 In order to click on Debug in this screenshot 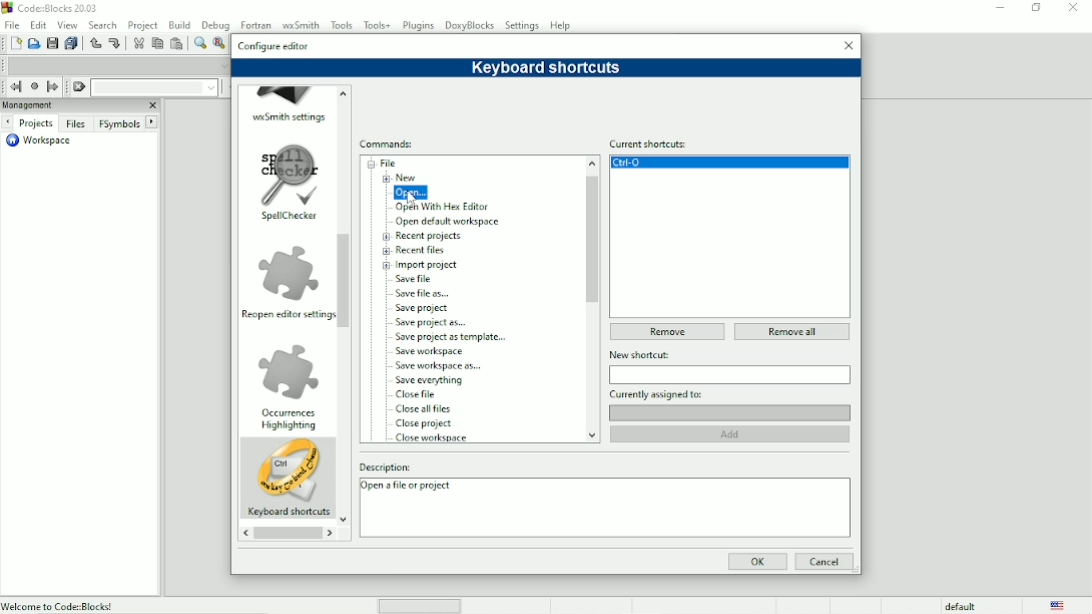, I will do `click(214, 24)`.